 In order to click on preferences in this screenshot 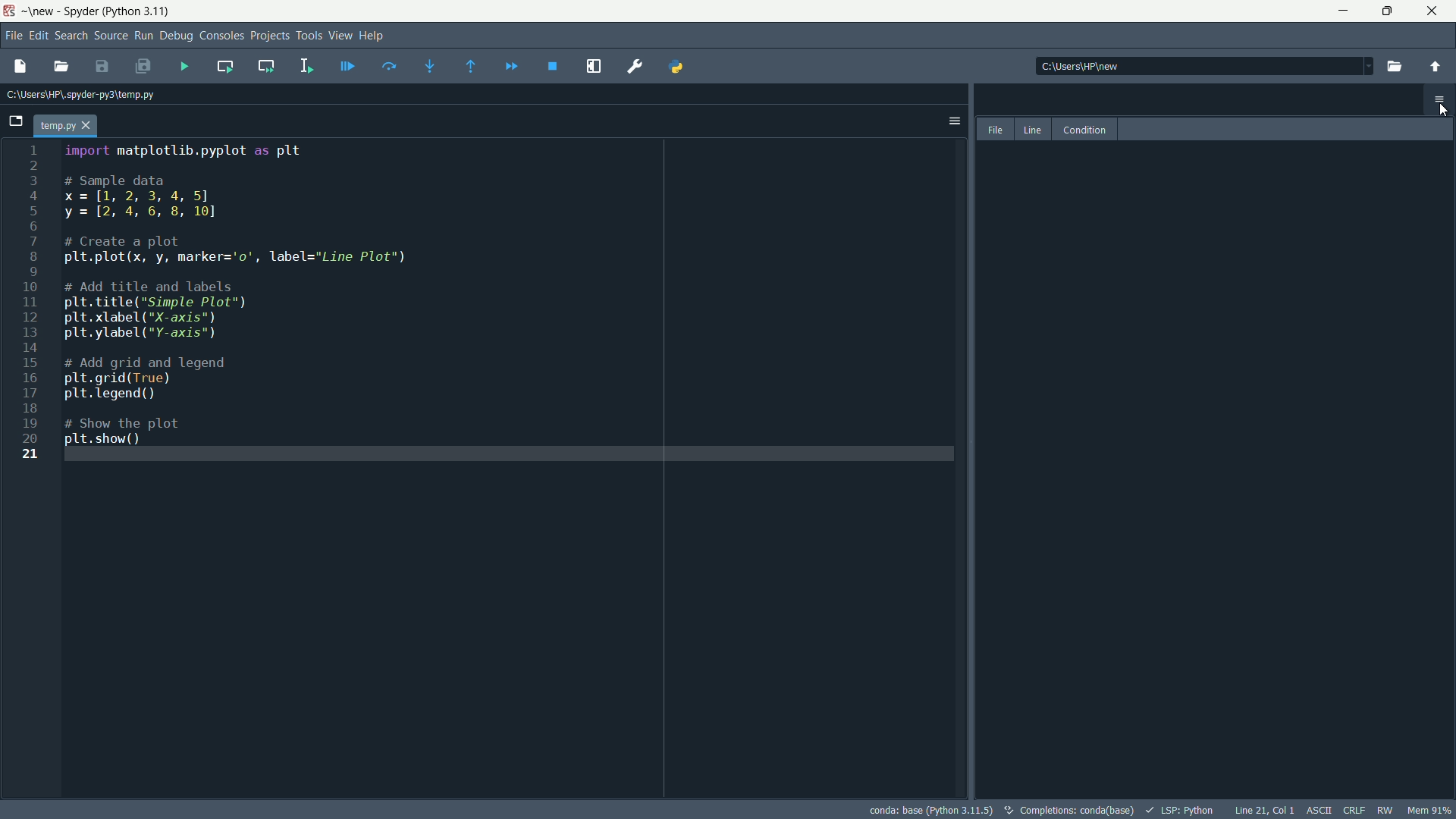, I will do `click(635, 65)`.